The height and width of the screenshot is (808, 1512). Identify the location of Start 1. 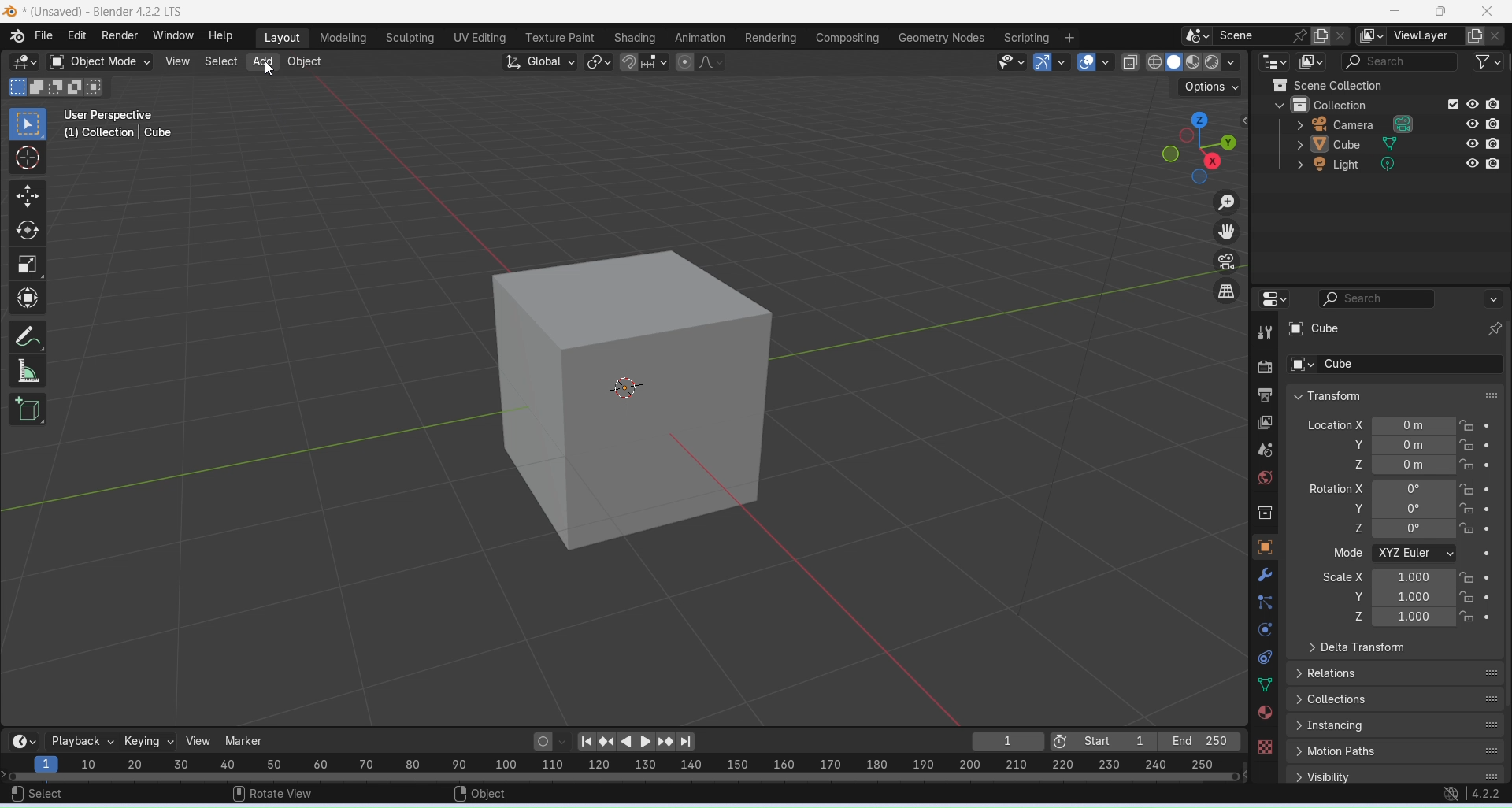
(1115, 742).